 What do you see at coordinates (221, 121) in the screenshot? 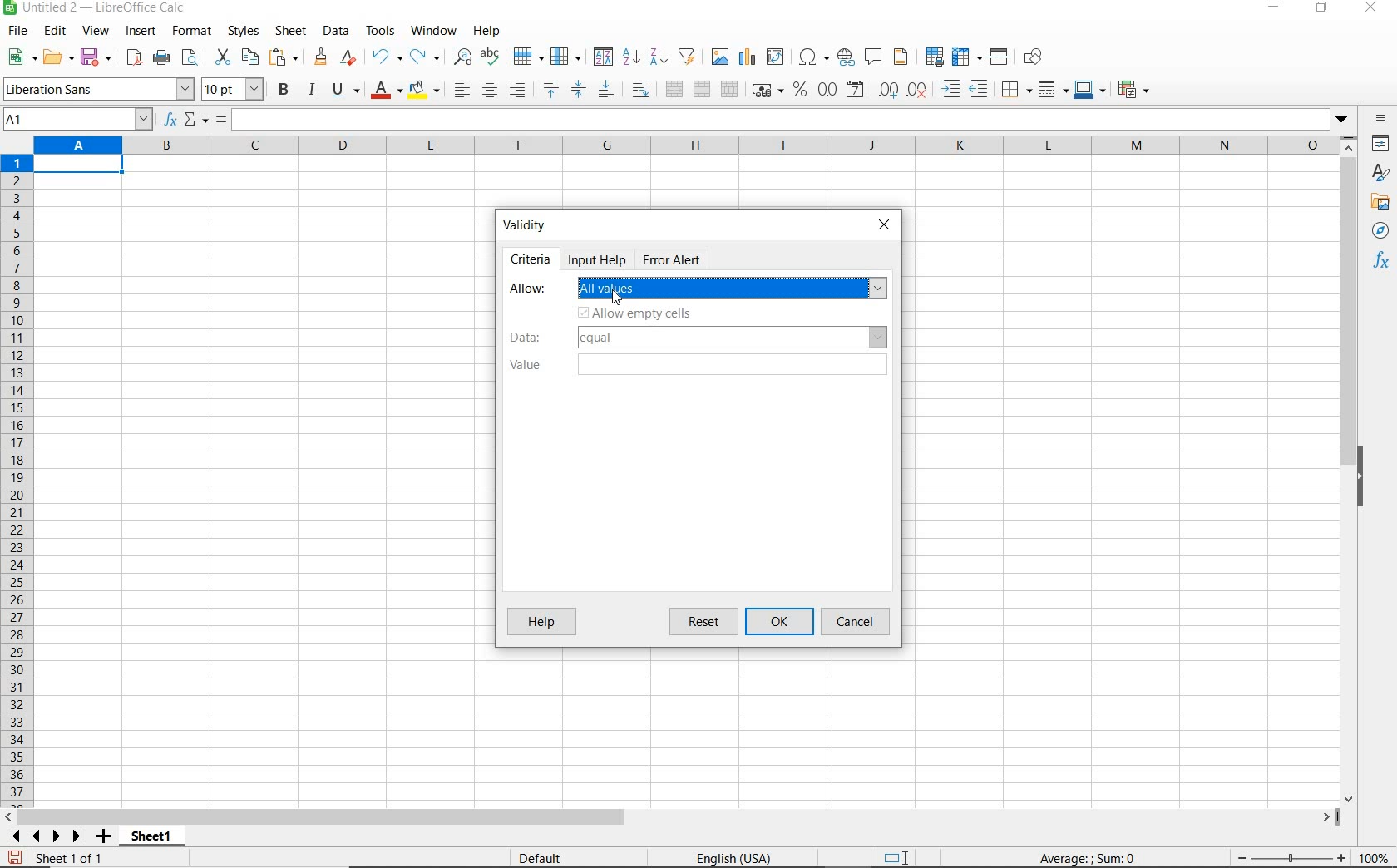
I see `formula` at bounding box center [221, 121].